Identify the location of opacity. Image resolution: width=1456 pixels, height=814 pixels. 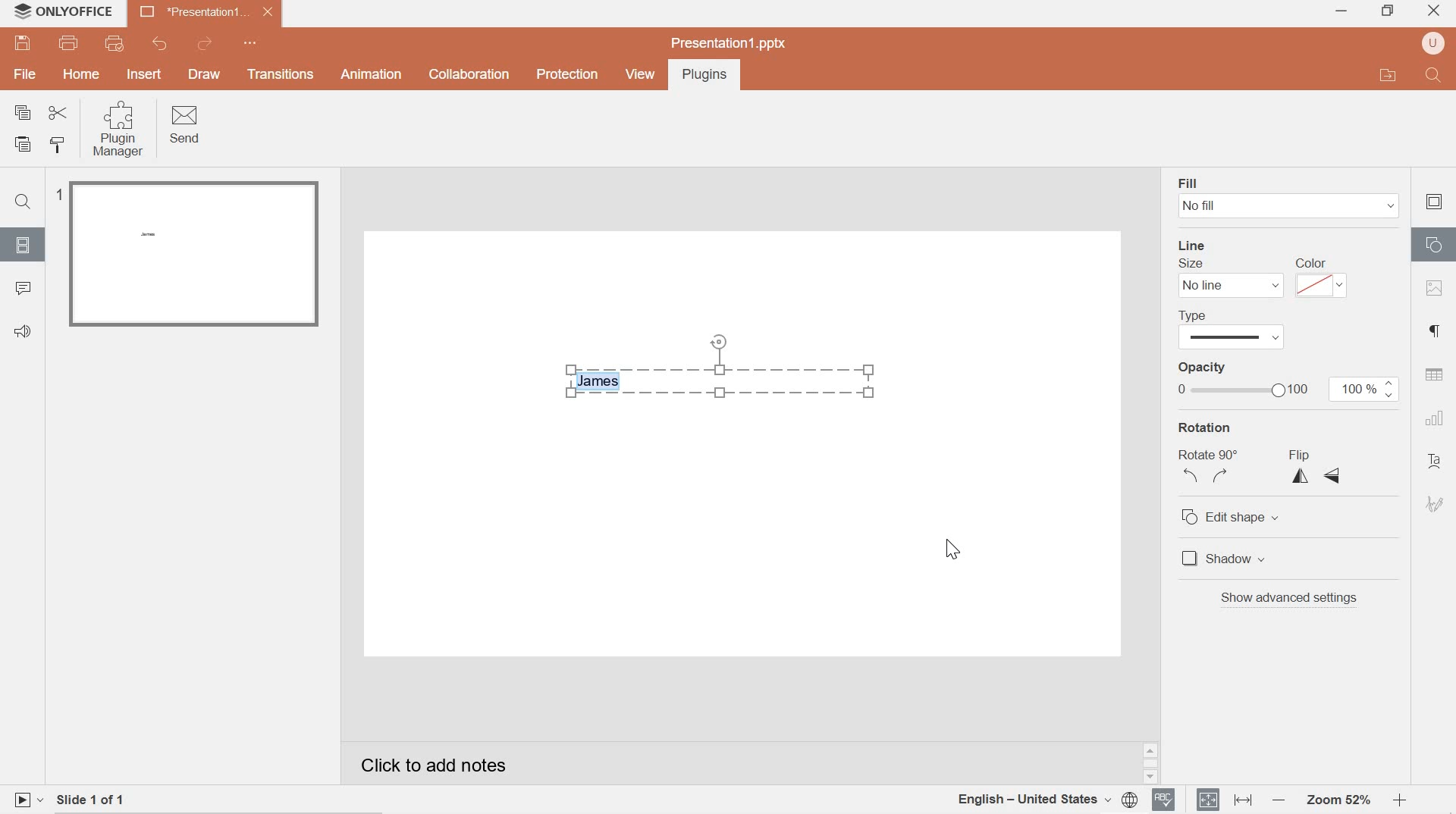
(1237, 366).